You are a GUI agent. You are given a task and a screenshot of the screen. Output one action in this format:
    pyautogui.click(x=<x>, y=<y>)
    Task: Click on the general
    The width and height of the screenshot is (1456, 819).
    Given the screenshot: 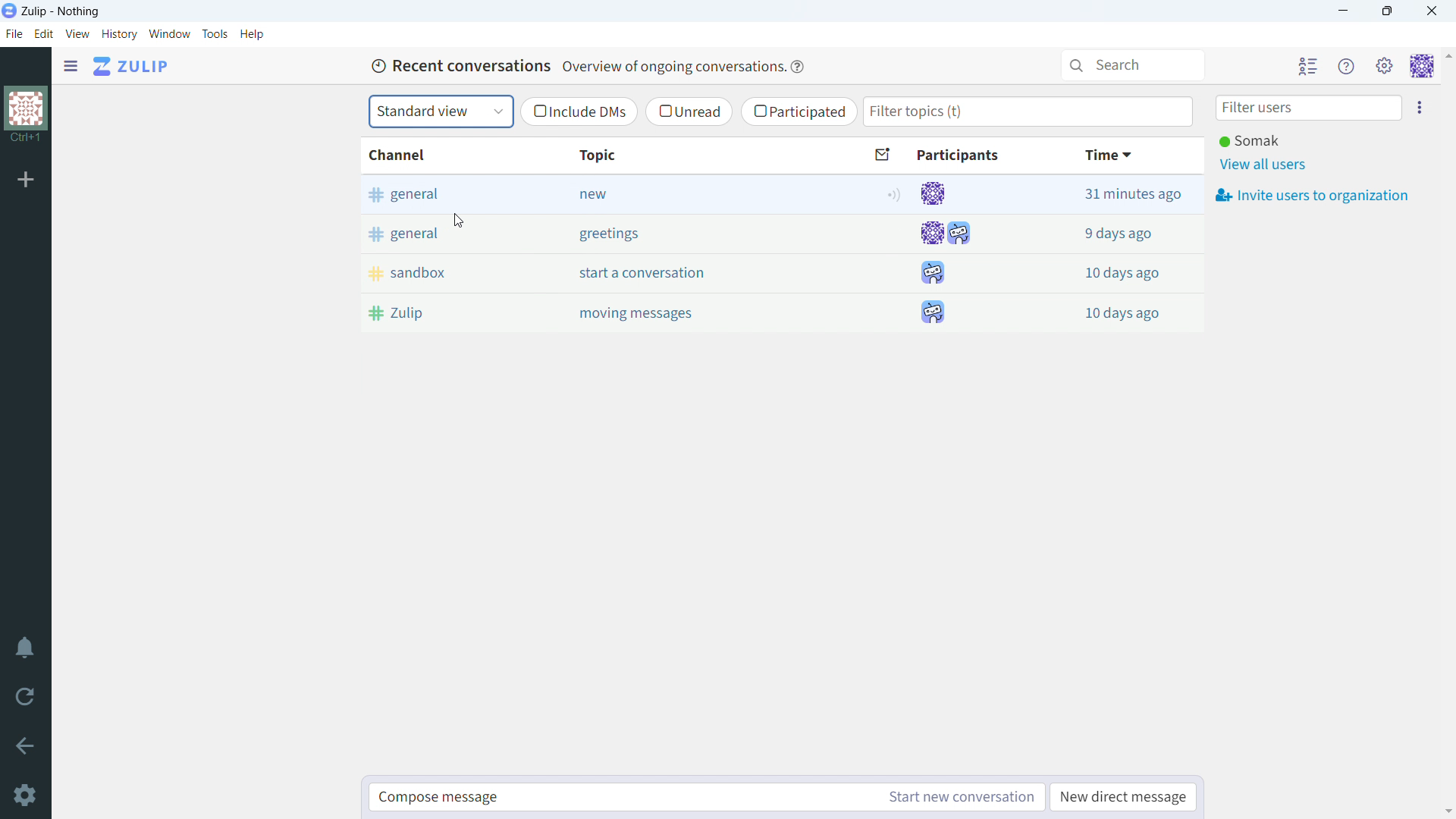 What is the action you would take?
    pyautogui.click(x=446, y=194)
    